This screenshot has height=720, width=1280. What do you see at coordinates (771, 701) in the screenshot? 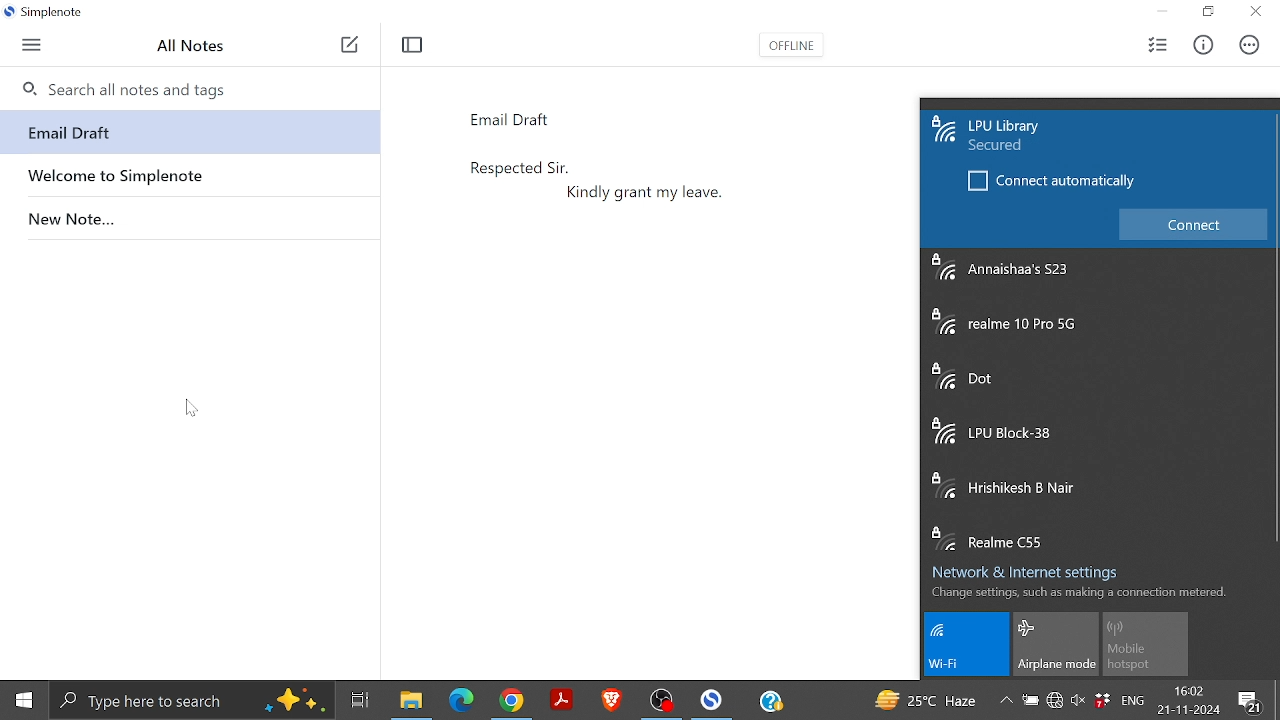
I see `help` at bounding box center [771, 701].